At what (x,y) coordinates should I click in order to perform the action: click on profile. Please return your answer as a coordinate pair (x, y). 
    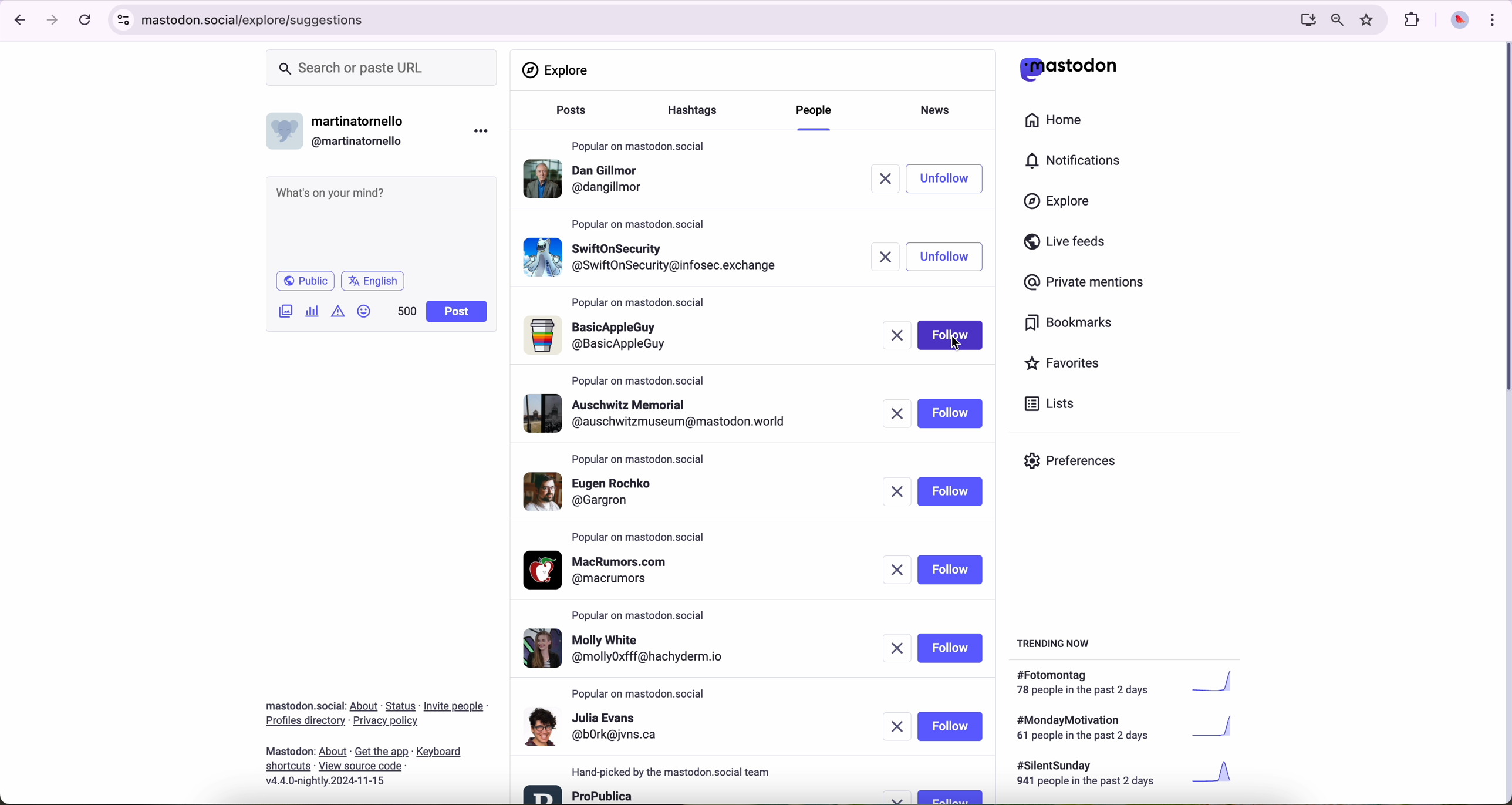
    Looking at the image, I should click on (662, 413).